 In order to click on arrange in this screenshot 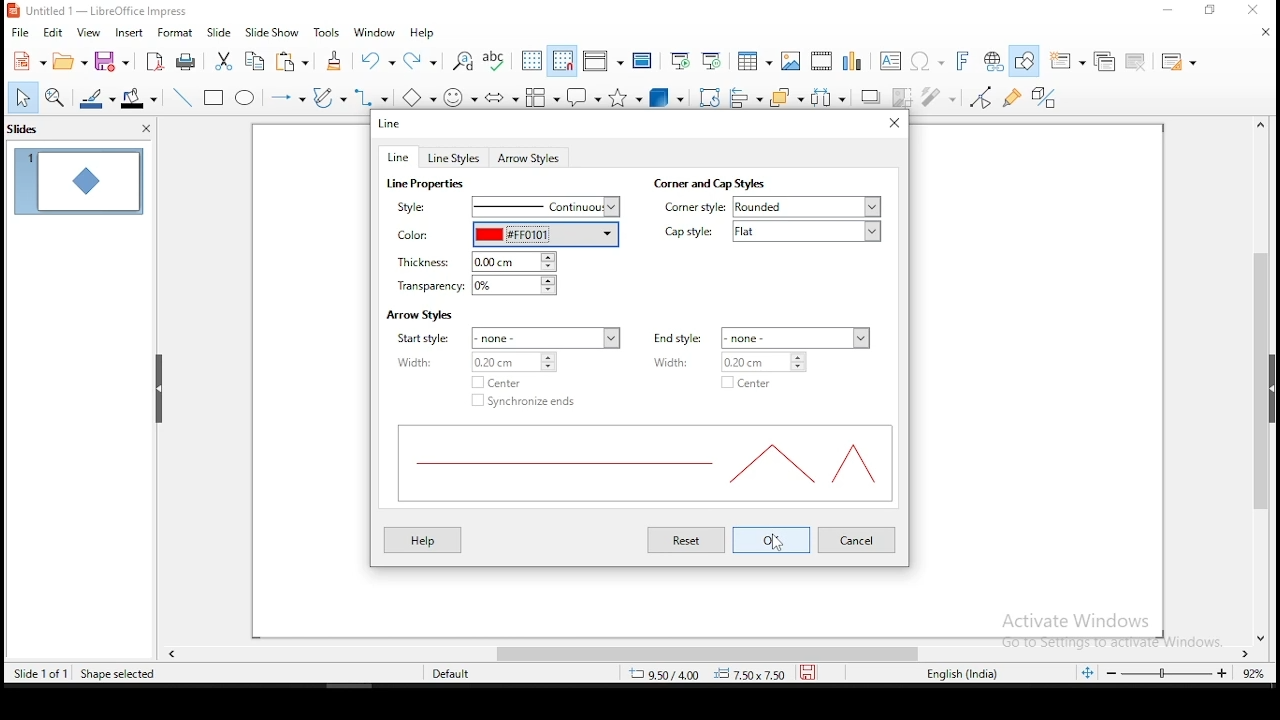, I will do `click(783, 96)`.